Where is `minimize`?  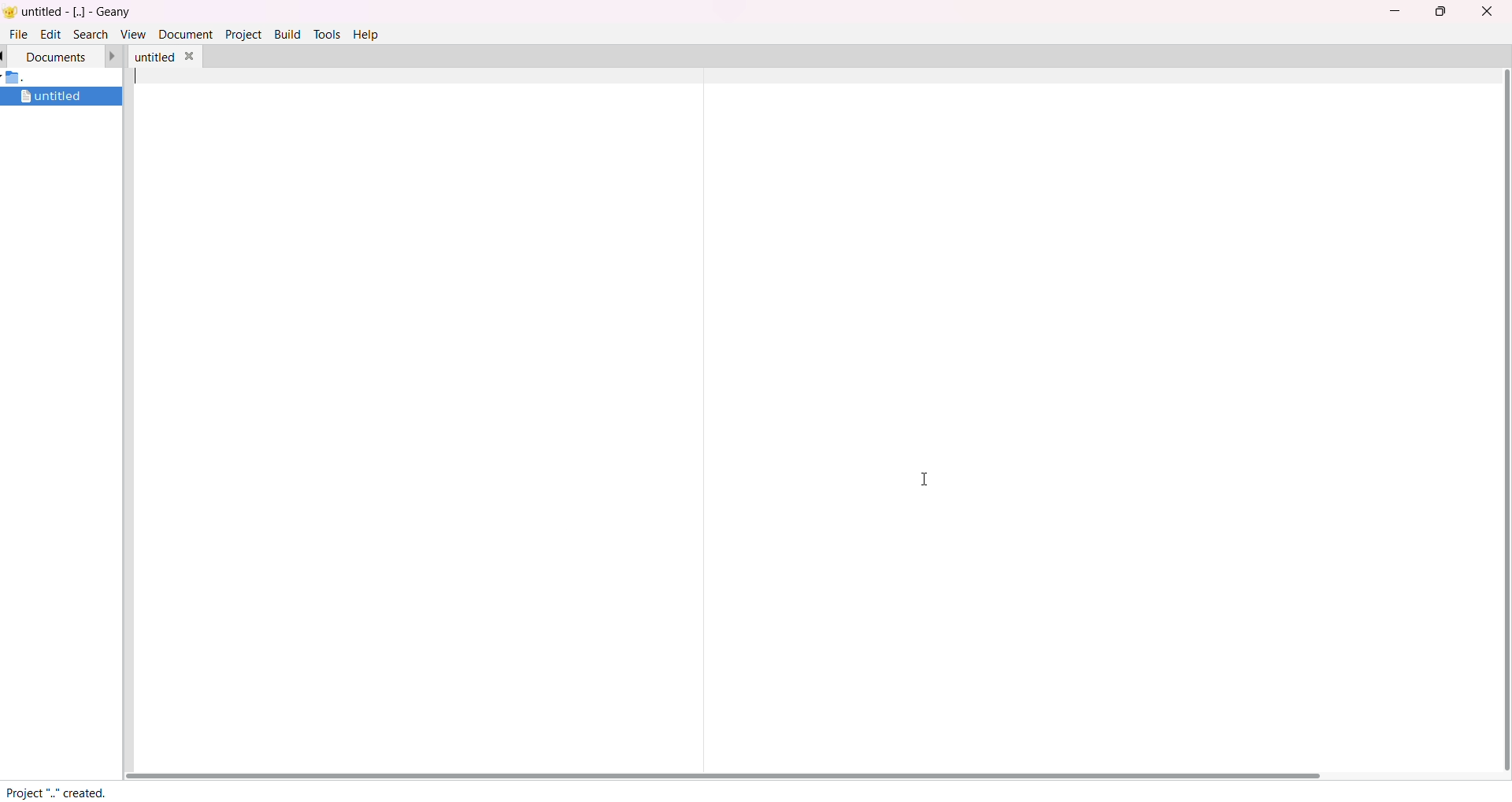 minimize is located at coordinates (1392, 9).